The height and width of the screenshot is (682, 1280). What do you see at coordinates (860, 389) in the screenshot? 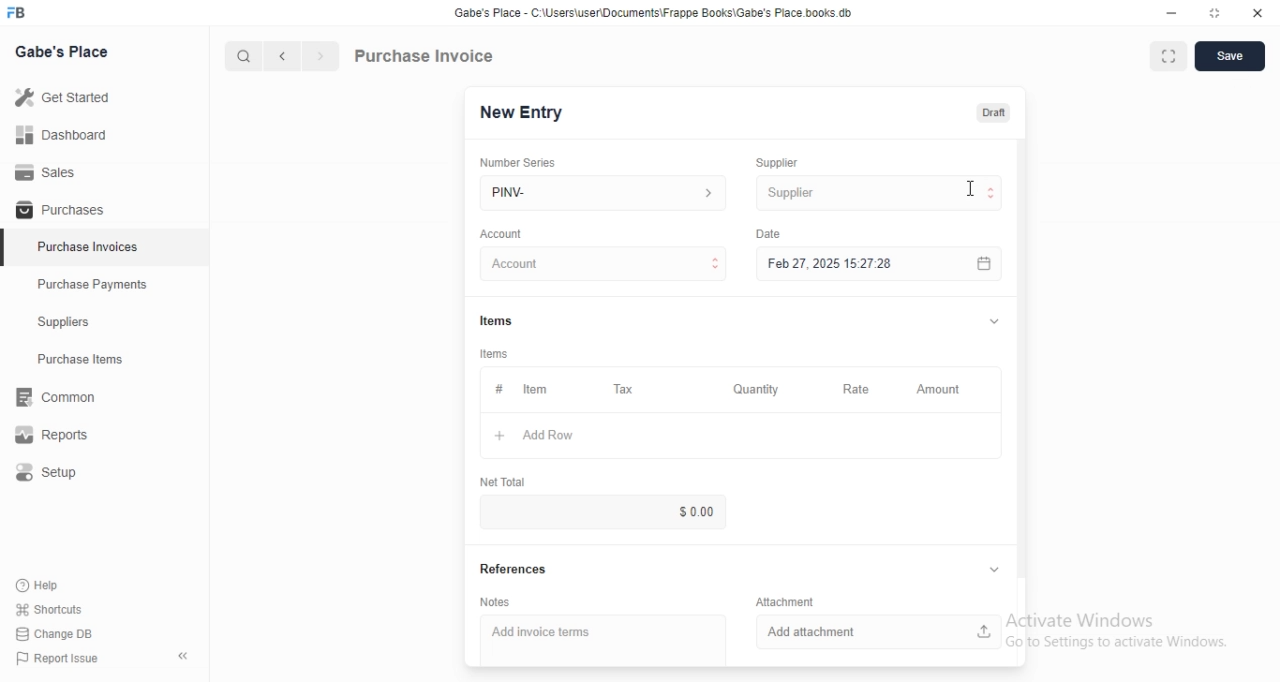
I see `Rate` at bounding box center [860, 389].